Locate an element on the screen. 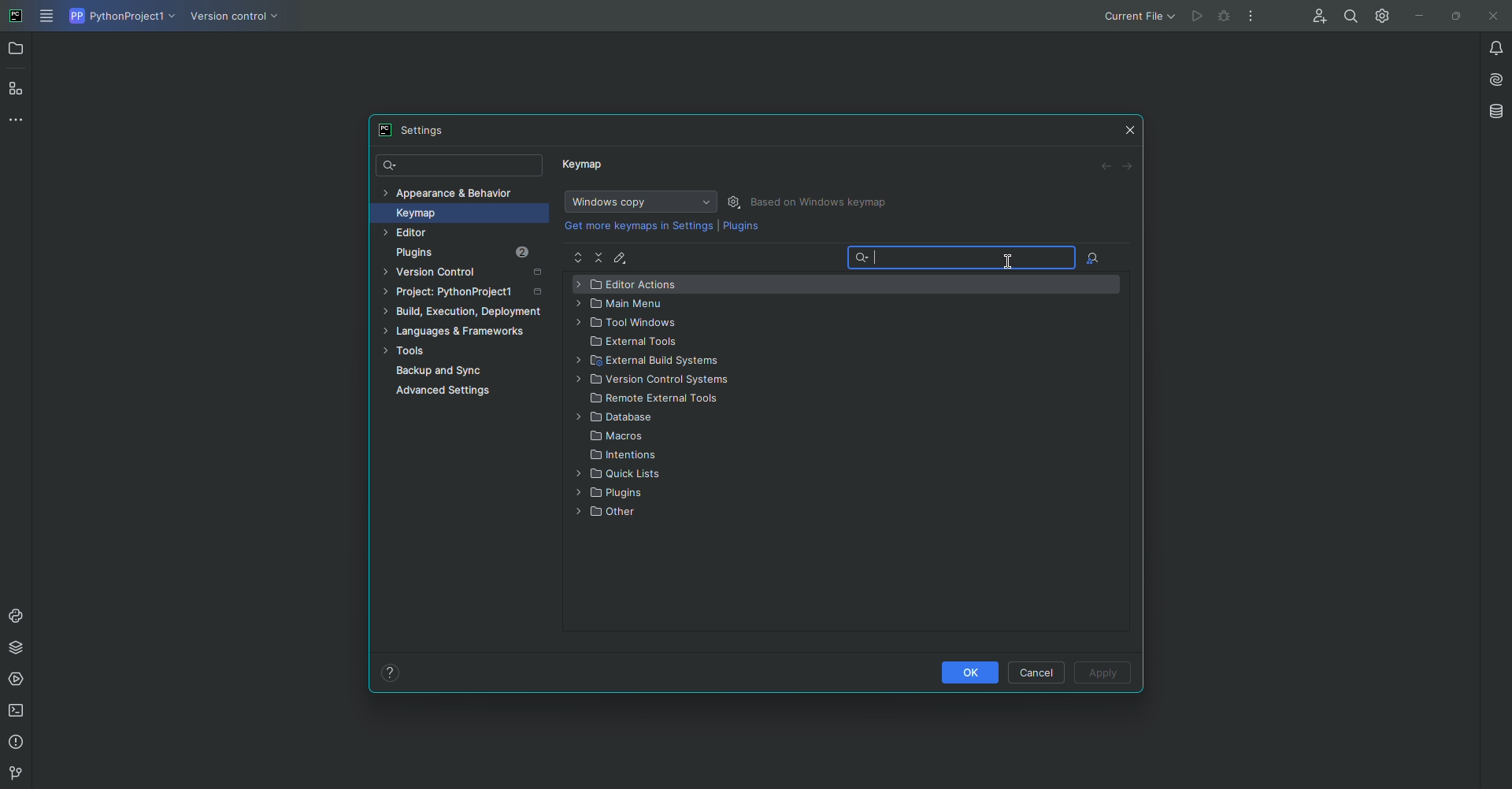 The width and height of the screenshot is (1512, 789). Keymap is located at coordinates (454, 213).